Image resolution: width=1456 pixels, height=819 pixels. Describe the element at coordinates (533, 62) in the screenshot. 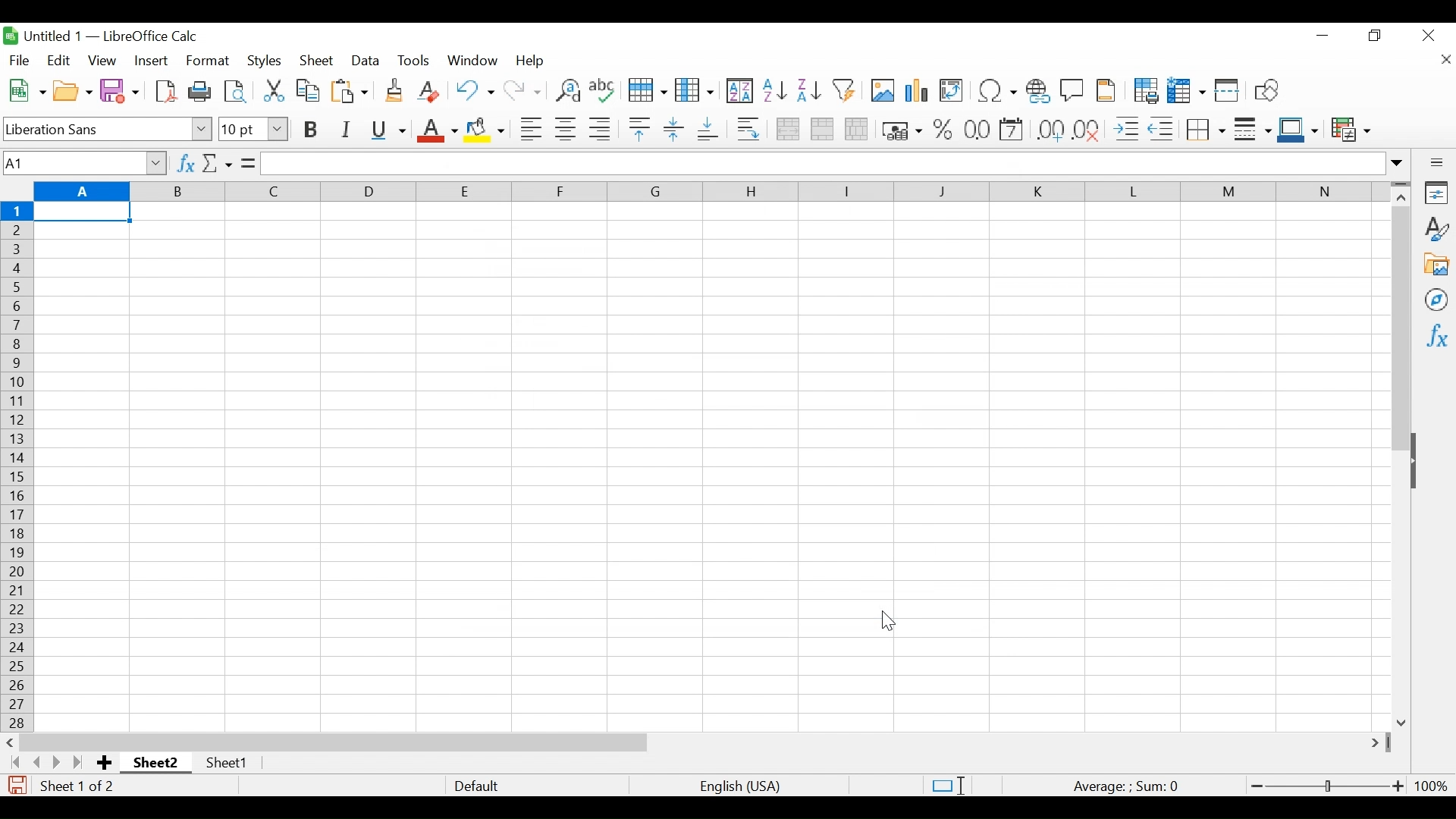

I see `Help` at that location.